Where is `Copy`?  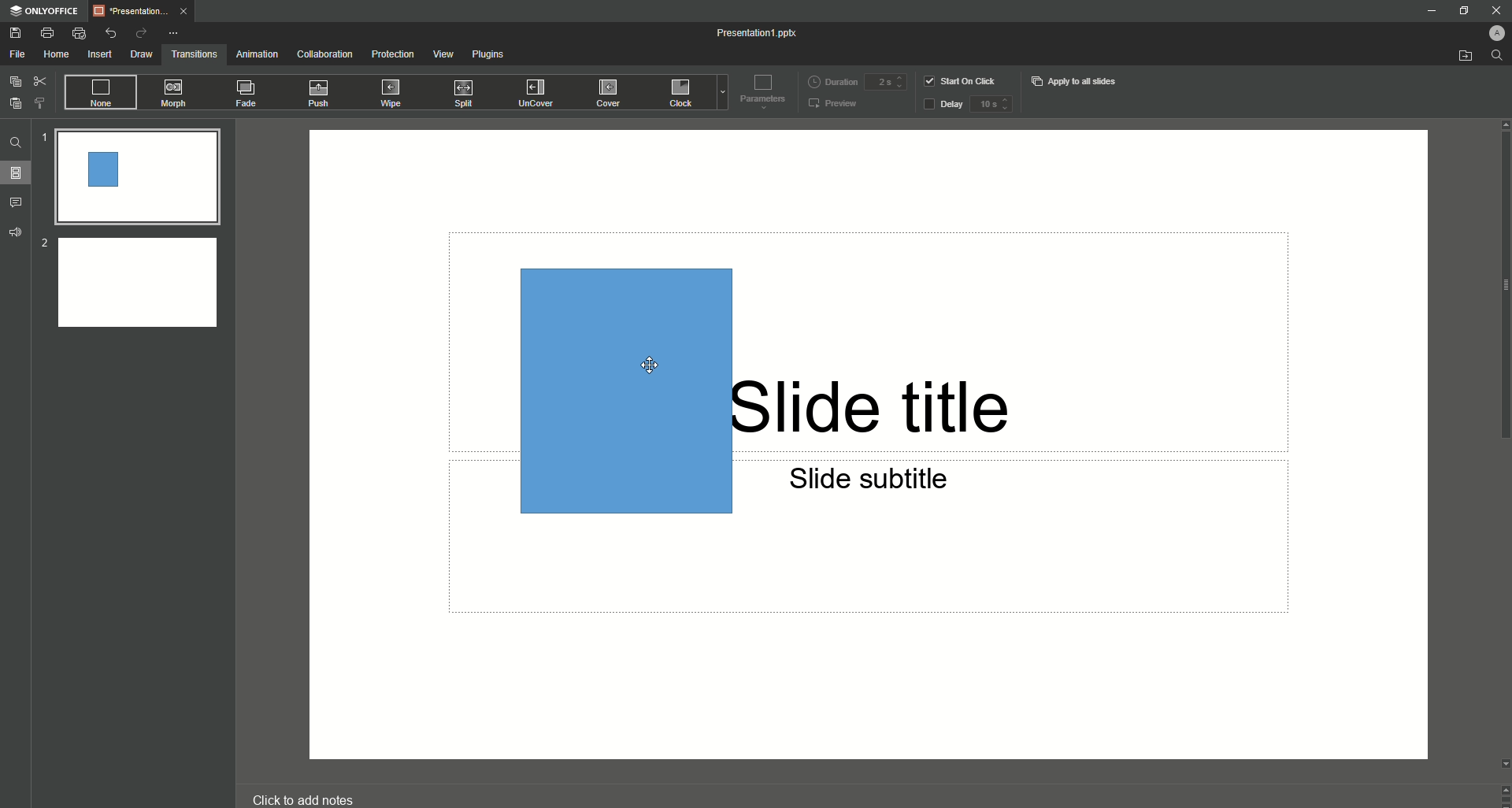 Copy is located at coordinates (13, 83).